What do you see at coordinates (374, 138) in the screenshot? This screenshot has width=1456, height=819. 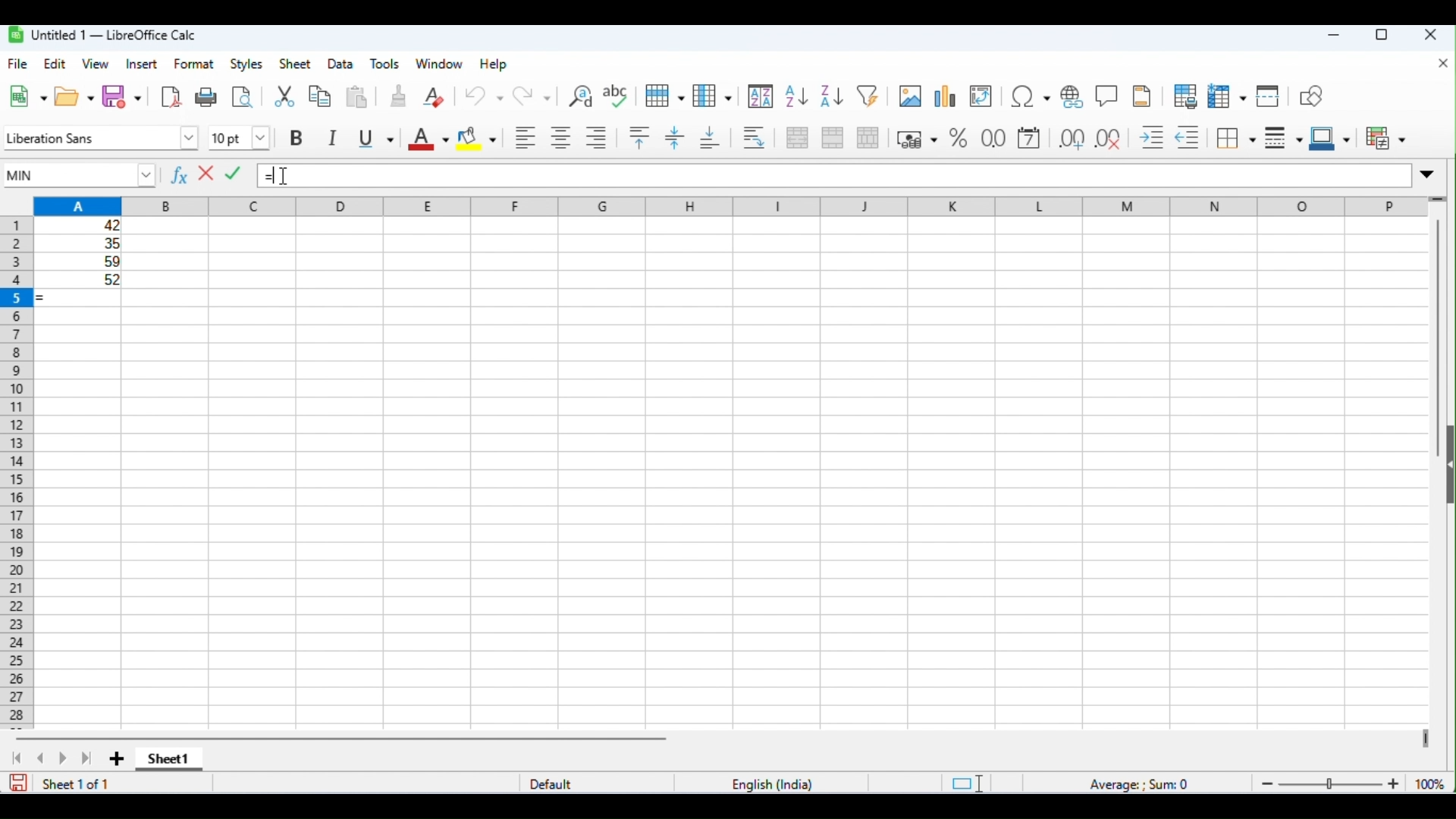 I see `underline` at bounding box center [374, 138].